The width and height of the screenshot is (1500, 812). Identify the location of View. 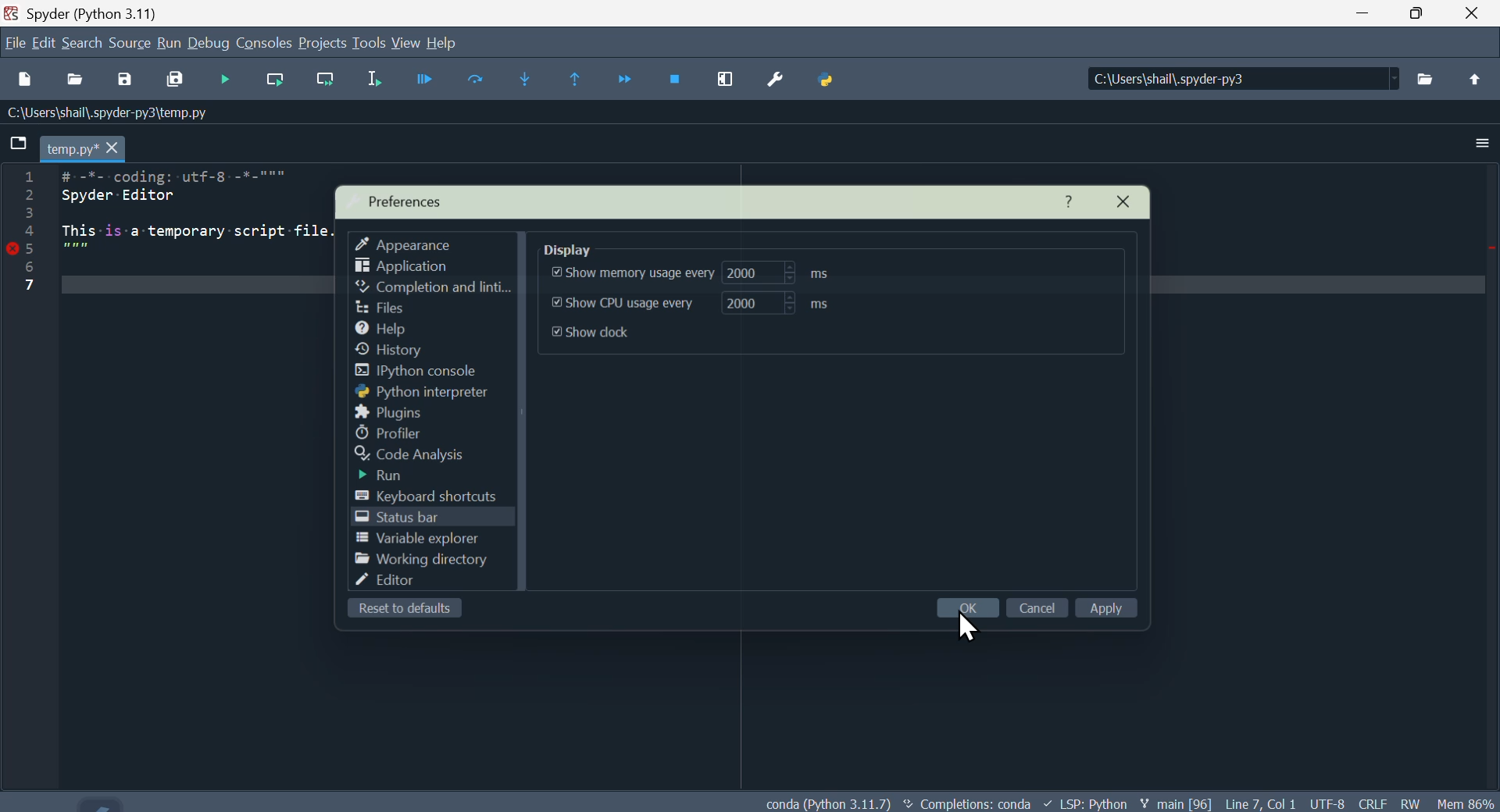
(406, 43).